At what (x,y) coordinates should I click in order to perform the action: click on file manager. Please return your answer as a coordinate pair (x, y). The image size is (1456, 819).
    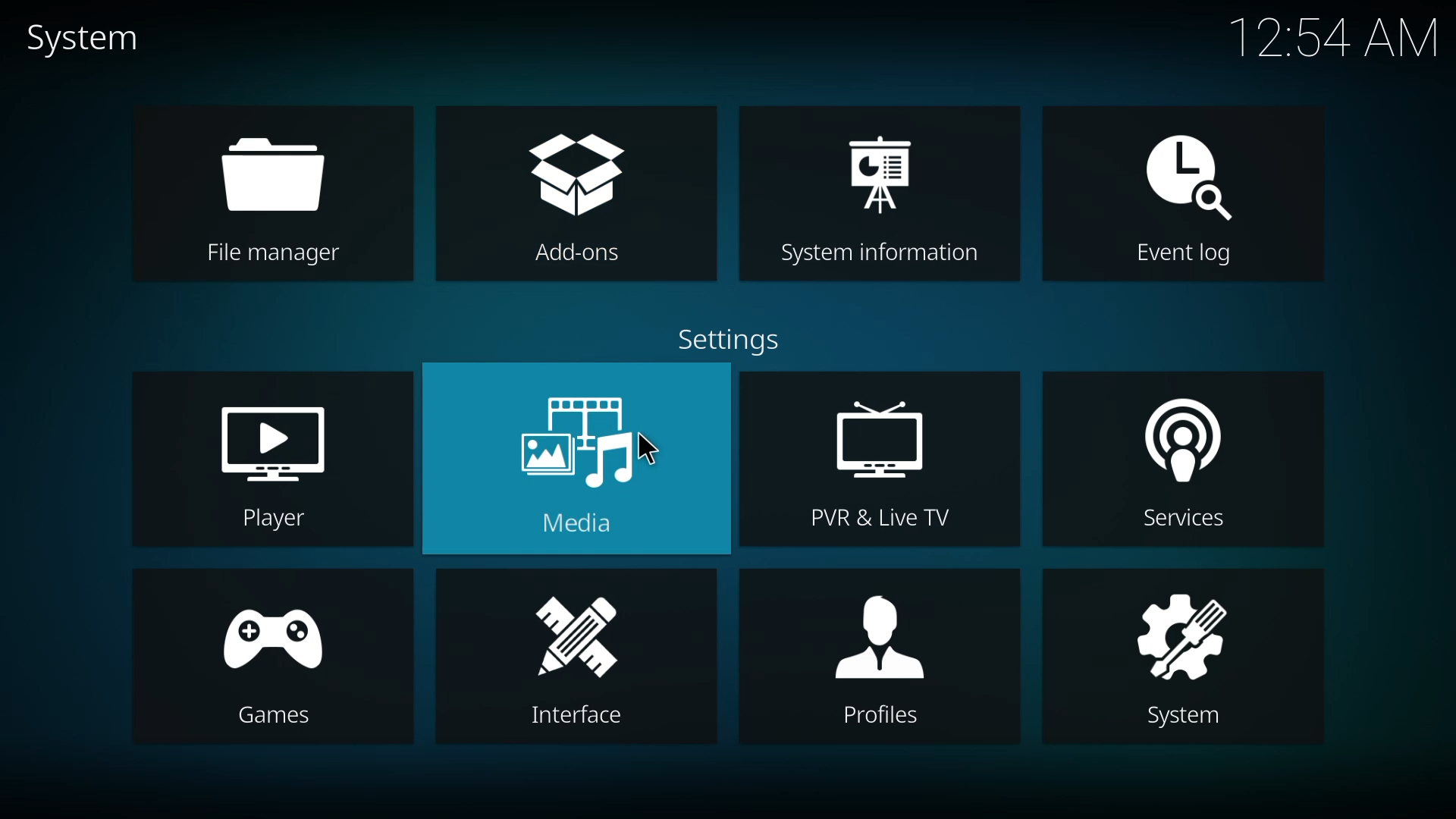
    Looking at the image, I should click on (282, 199).